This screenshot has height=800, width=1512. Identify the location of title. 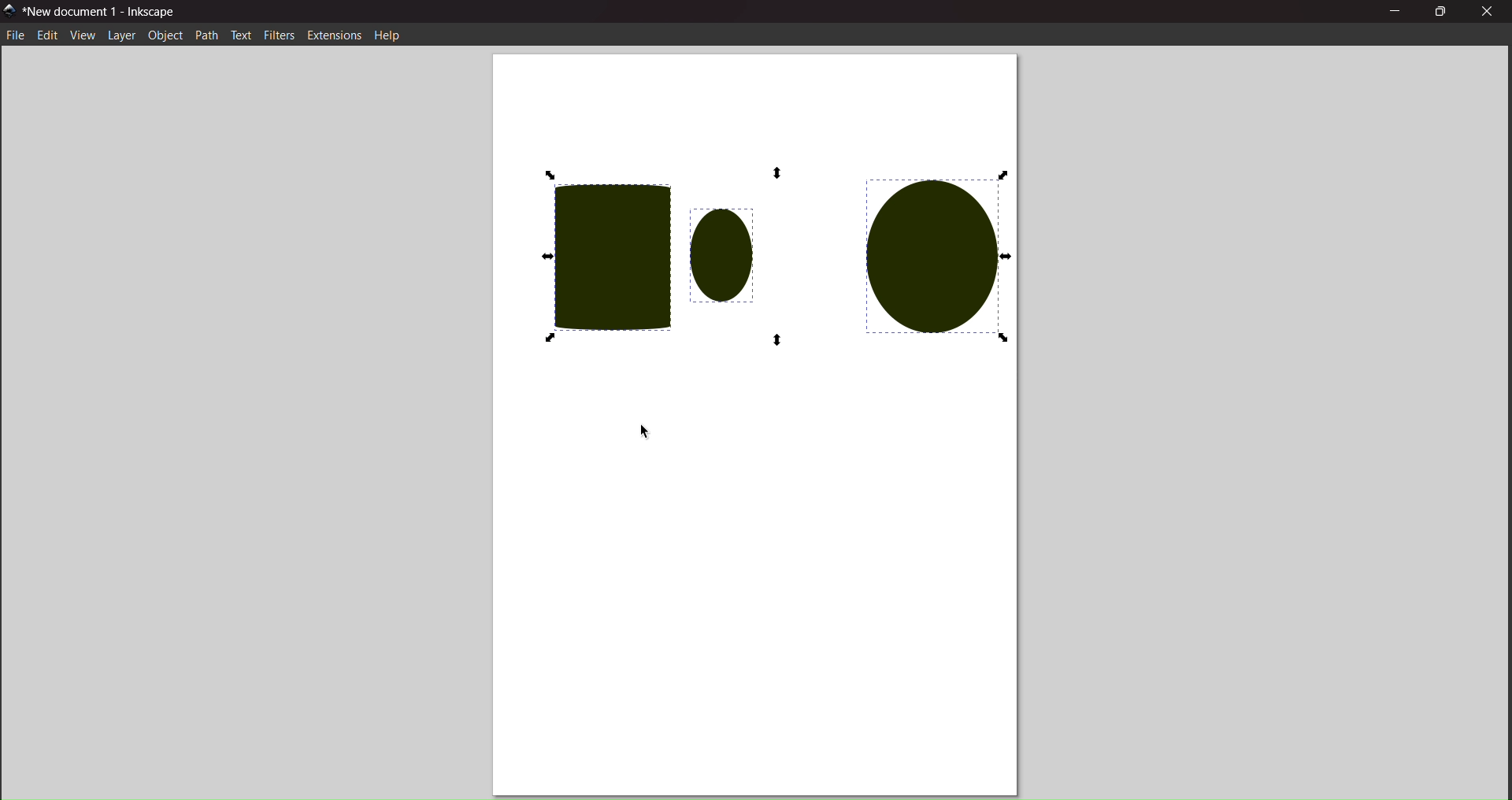
(104, 10).